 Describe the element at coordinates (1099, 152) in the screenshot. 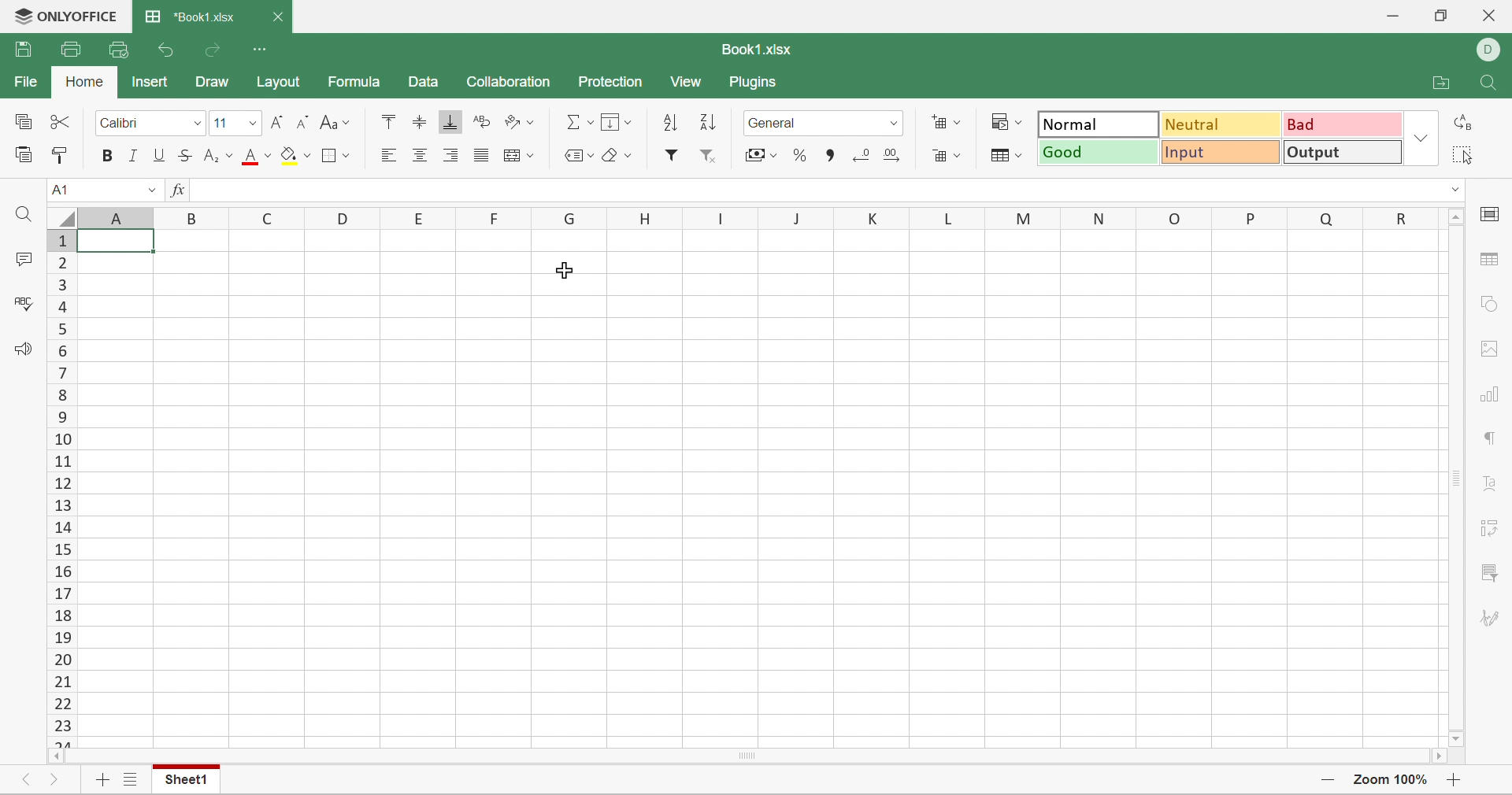

I see `Good` at that location.